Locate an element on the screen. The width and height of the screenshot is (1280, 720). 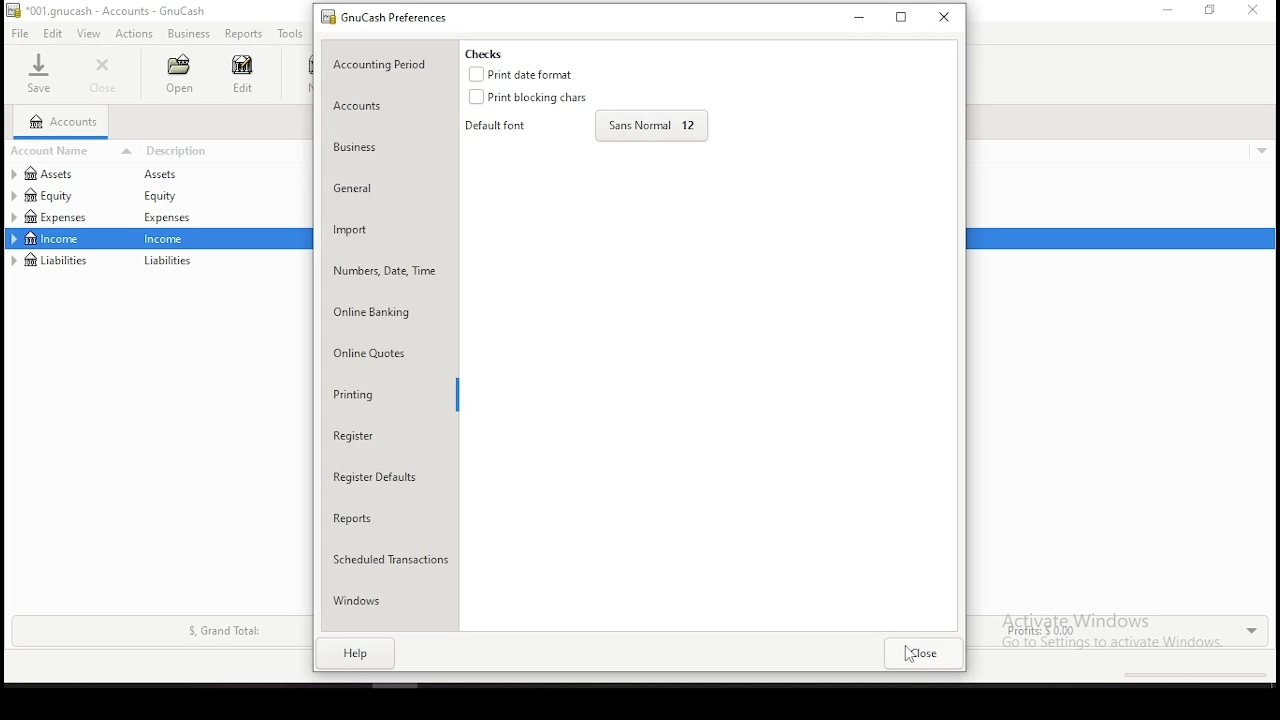
windows is located at coordinates (384, 600).